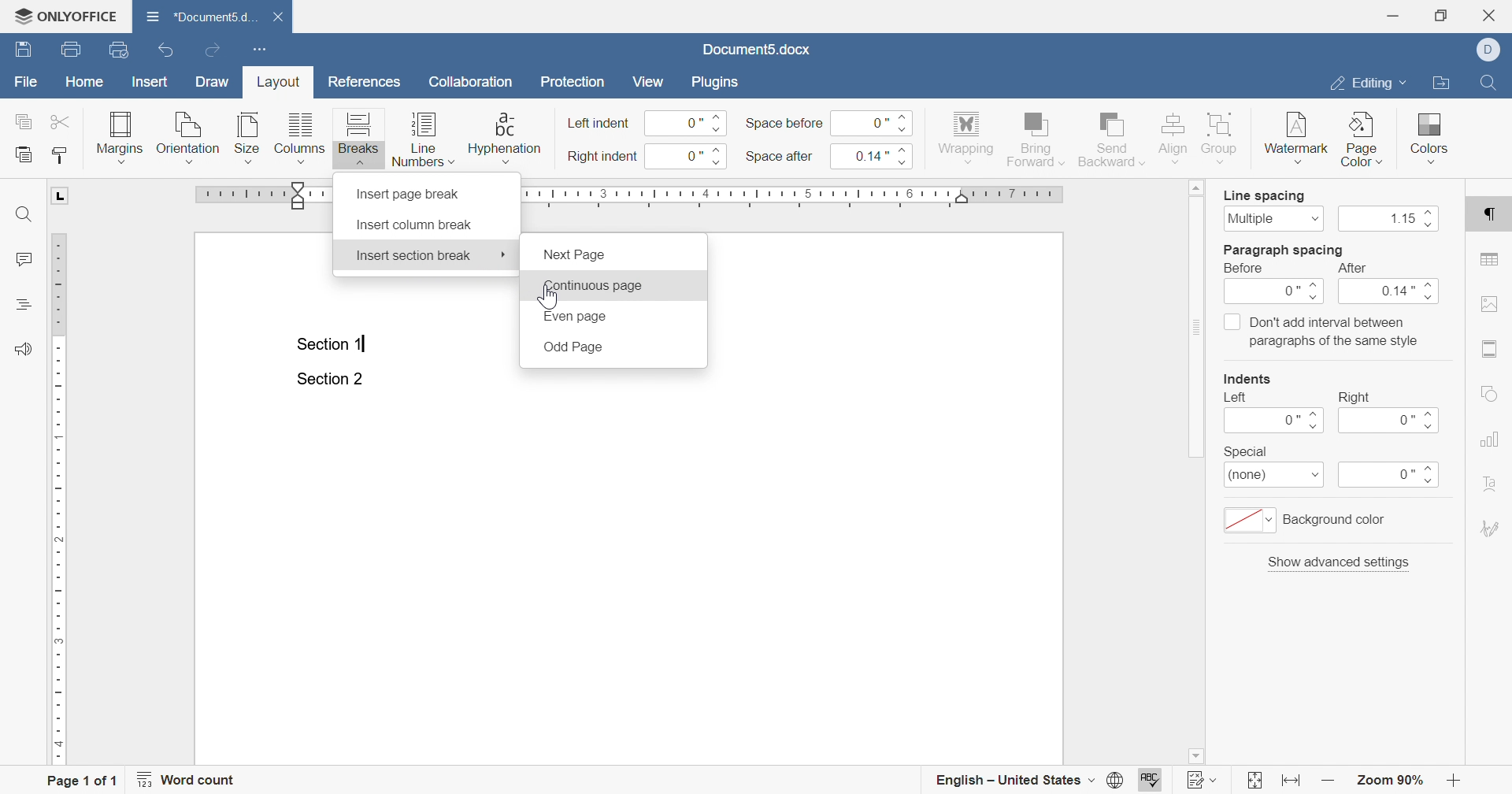  What do you see at coordinates (691, 157) in the screenshot?
I see `0` at bounding box center [691, 157].